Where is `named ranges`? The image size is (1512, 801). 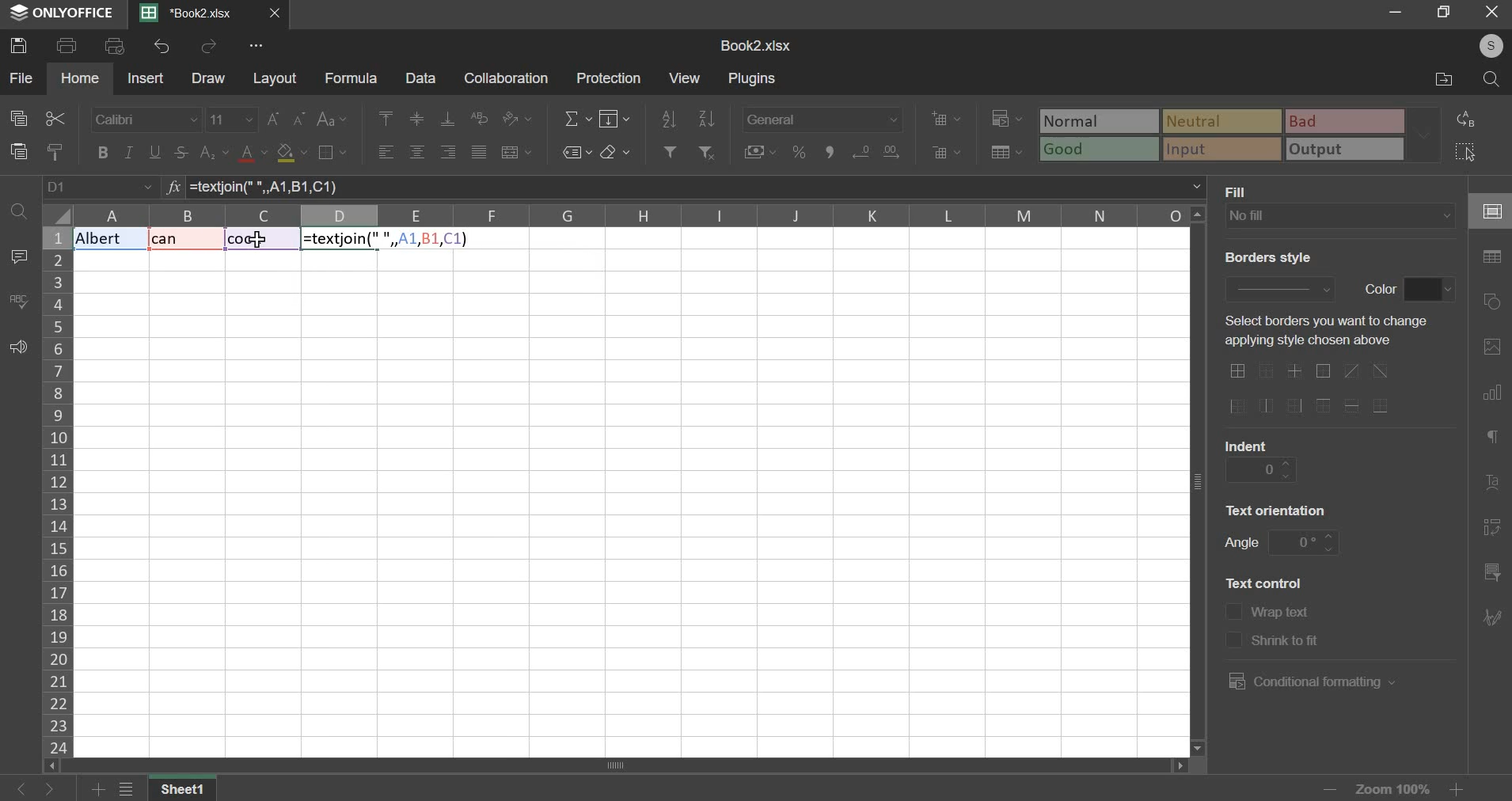
named ranges is located at coordinates (576, 152).